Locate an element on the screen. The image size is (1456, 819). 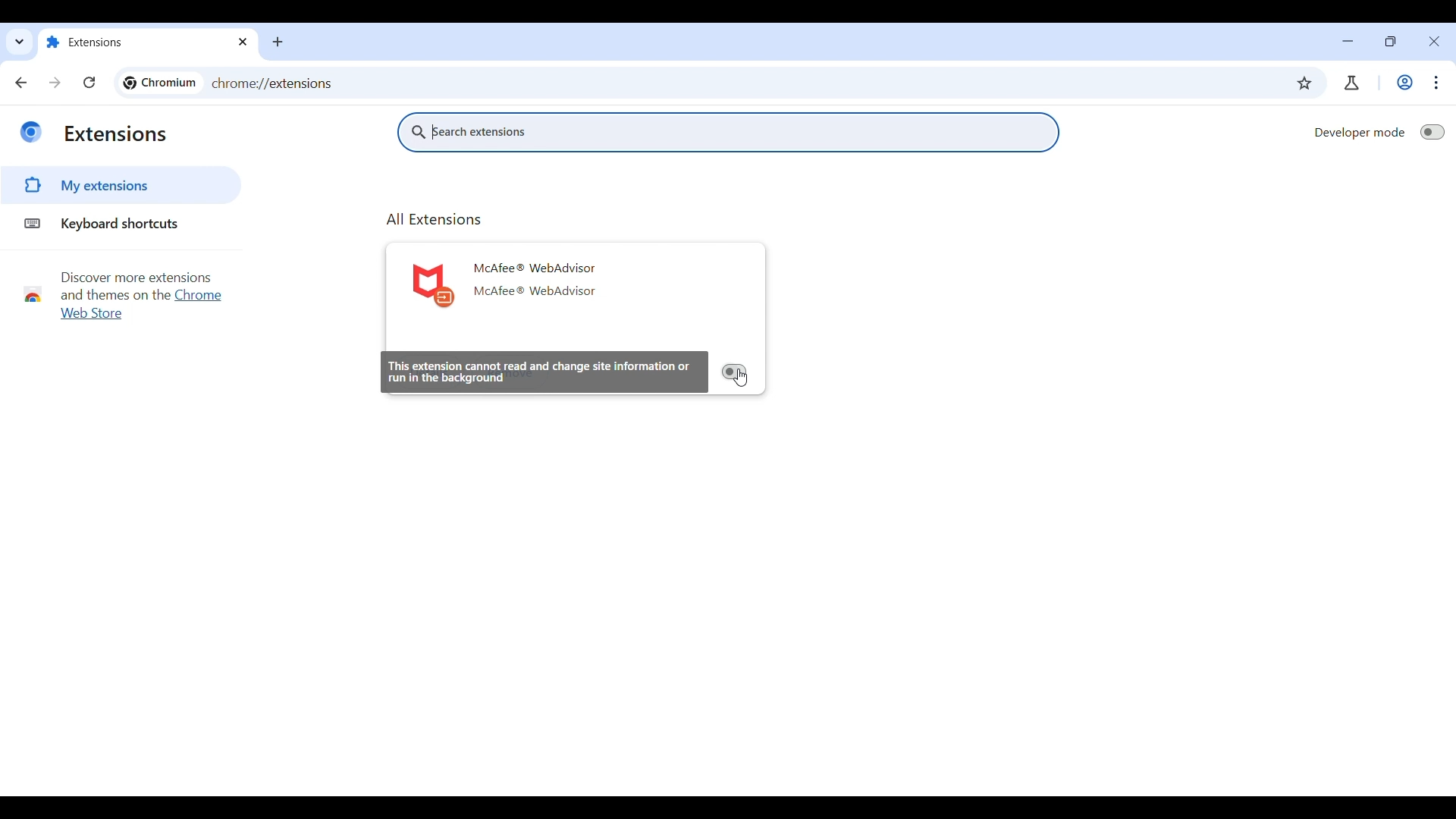
Toggle on to activate extension is located at coordinates (735, 372).